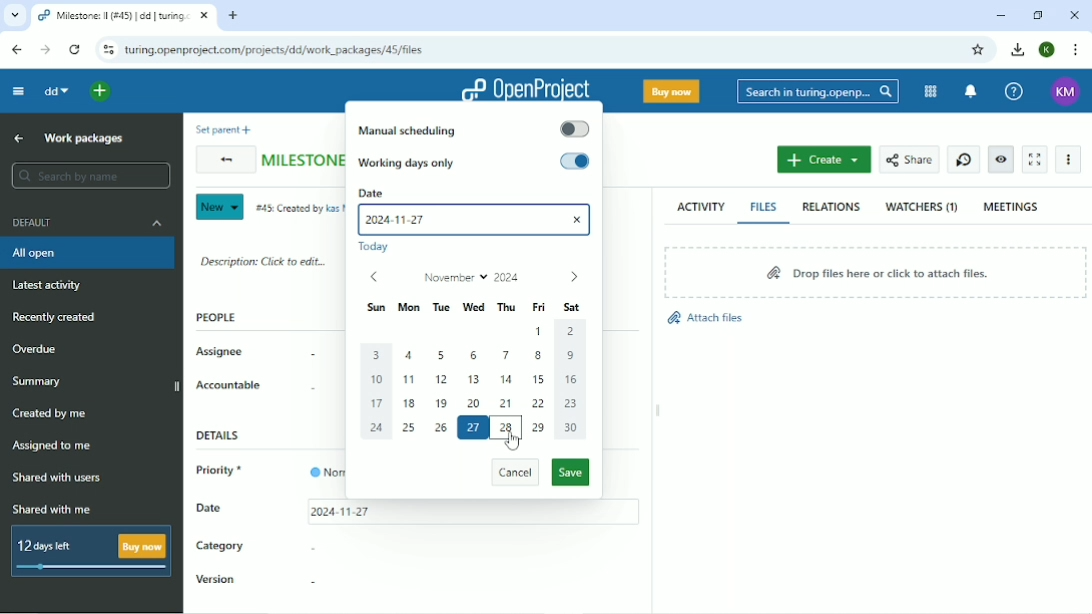 The height and width of the screenshot is (614, 1092). Describe the element at coordinates (306, 356) in the screenshot. I see `-` at that location.